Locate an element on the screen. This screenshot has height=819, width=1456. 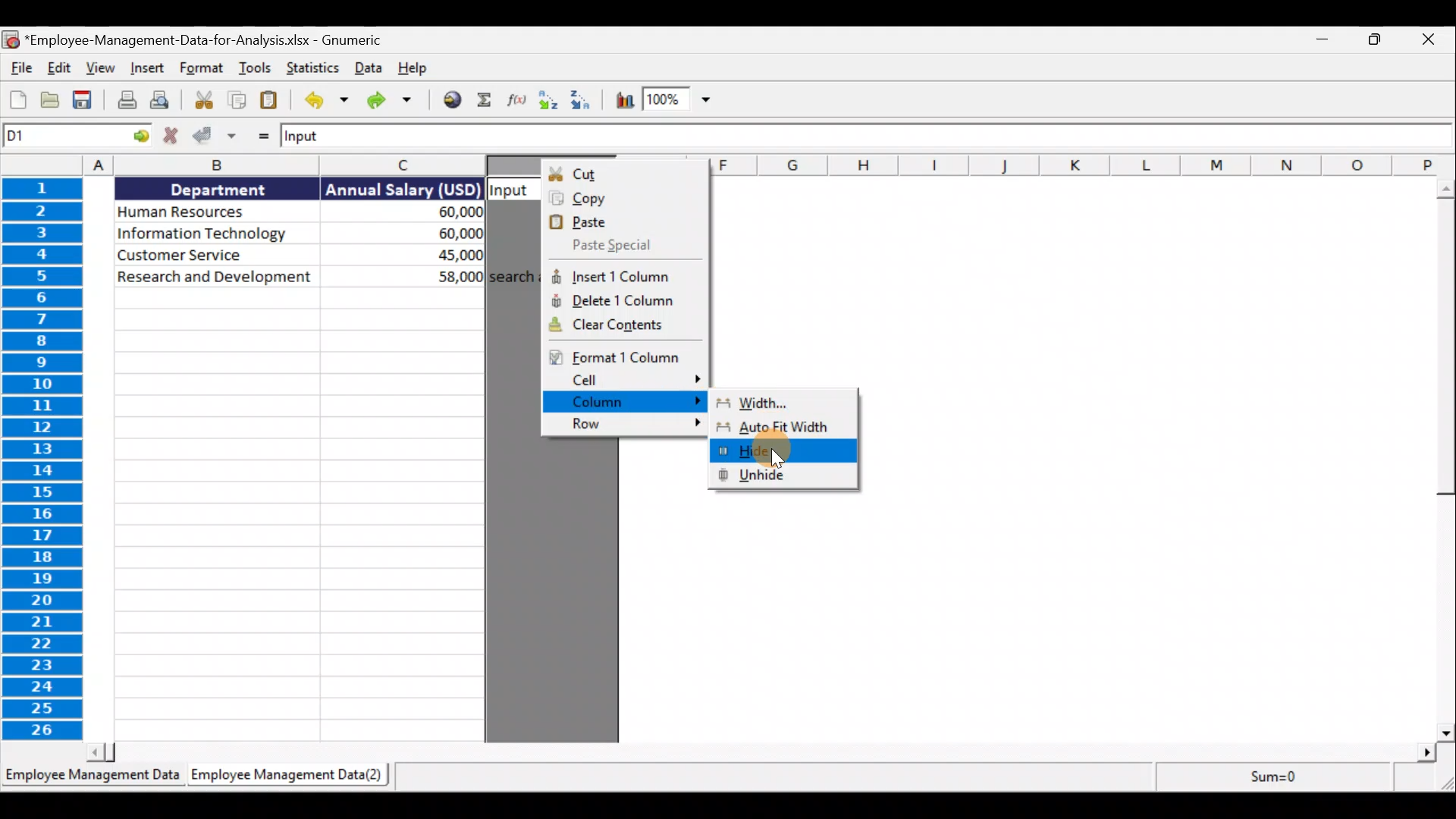
Create a new workbook is located at coordinates (17, 102).